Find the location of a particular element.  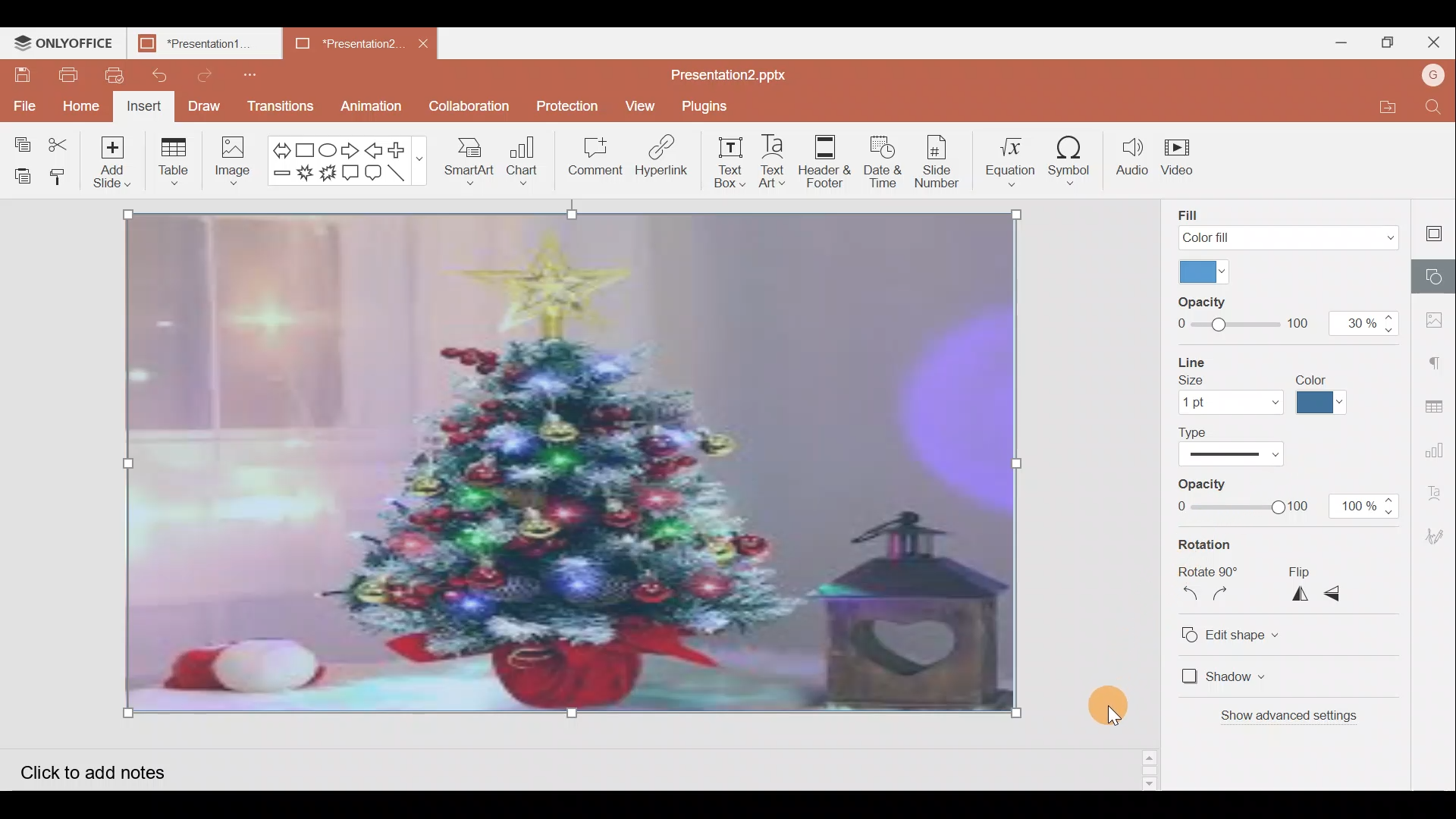

Open file location is located at coordinates (1397, 106).